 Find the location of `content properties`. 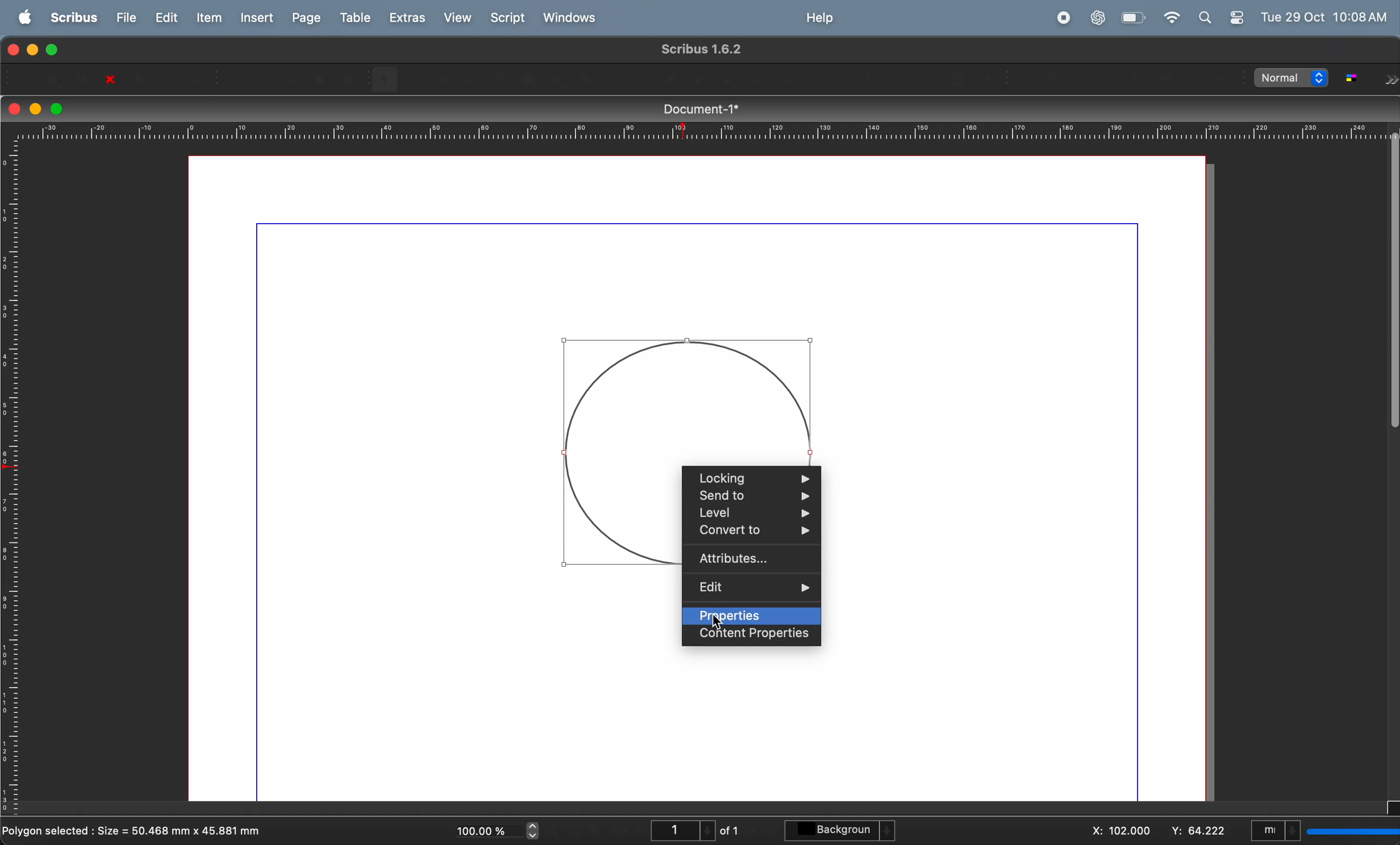

content properties is located at coordinates (753, 637).